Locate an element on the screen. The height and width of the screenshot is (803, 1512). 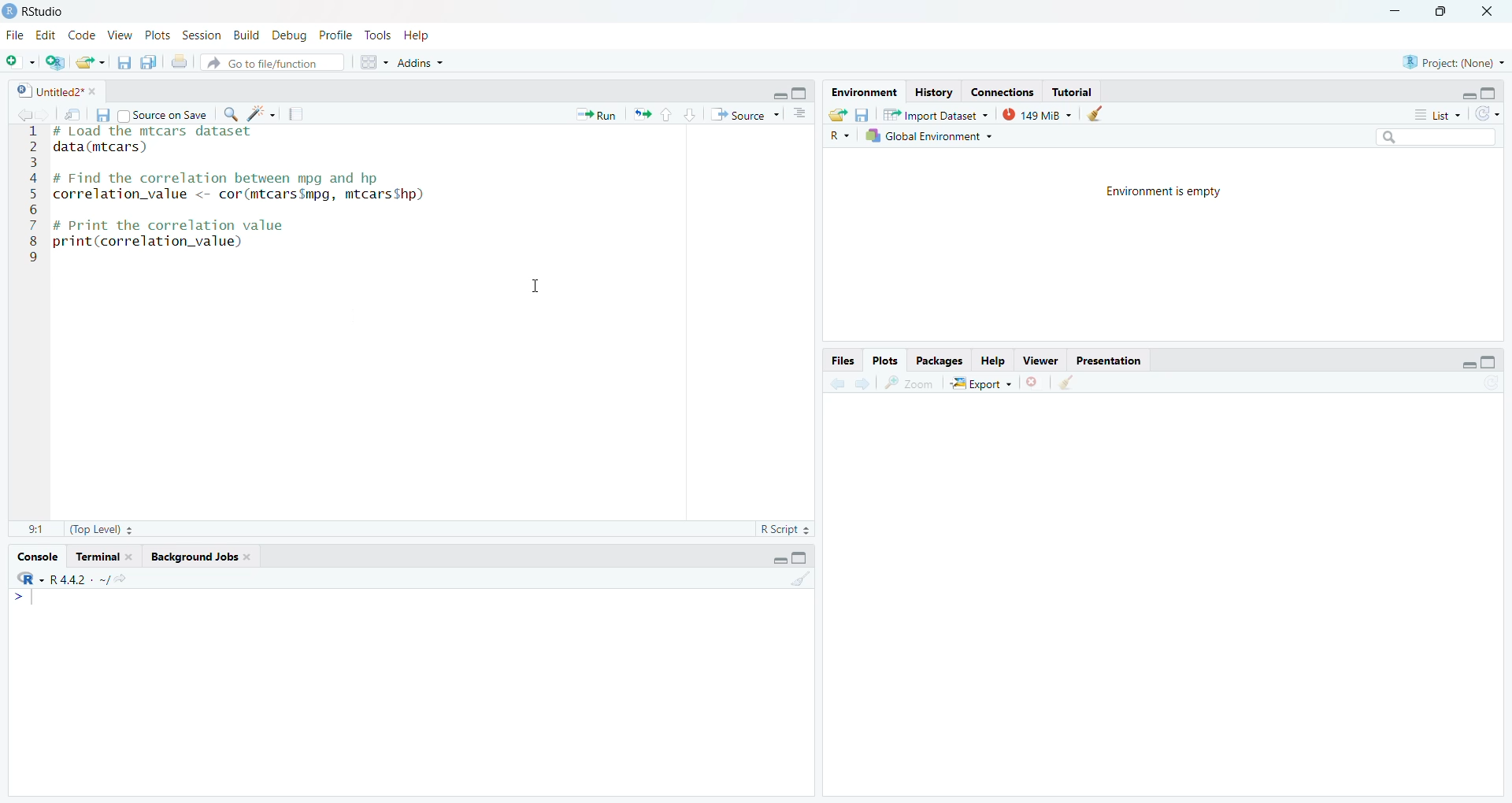
Addins is located at coordinates (423, 62).